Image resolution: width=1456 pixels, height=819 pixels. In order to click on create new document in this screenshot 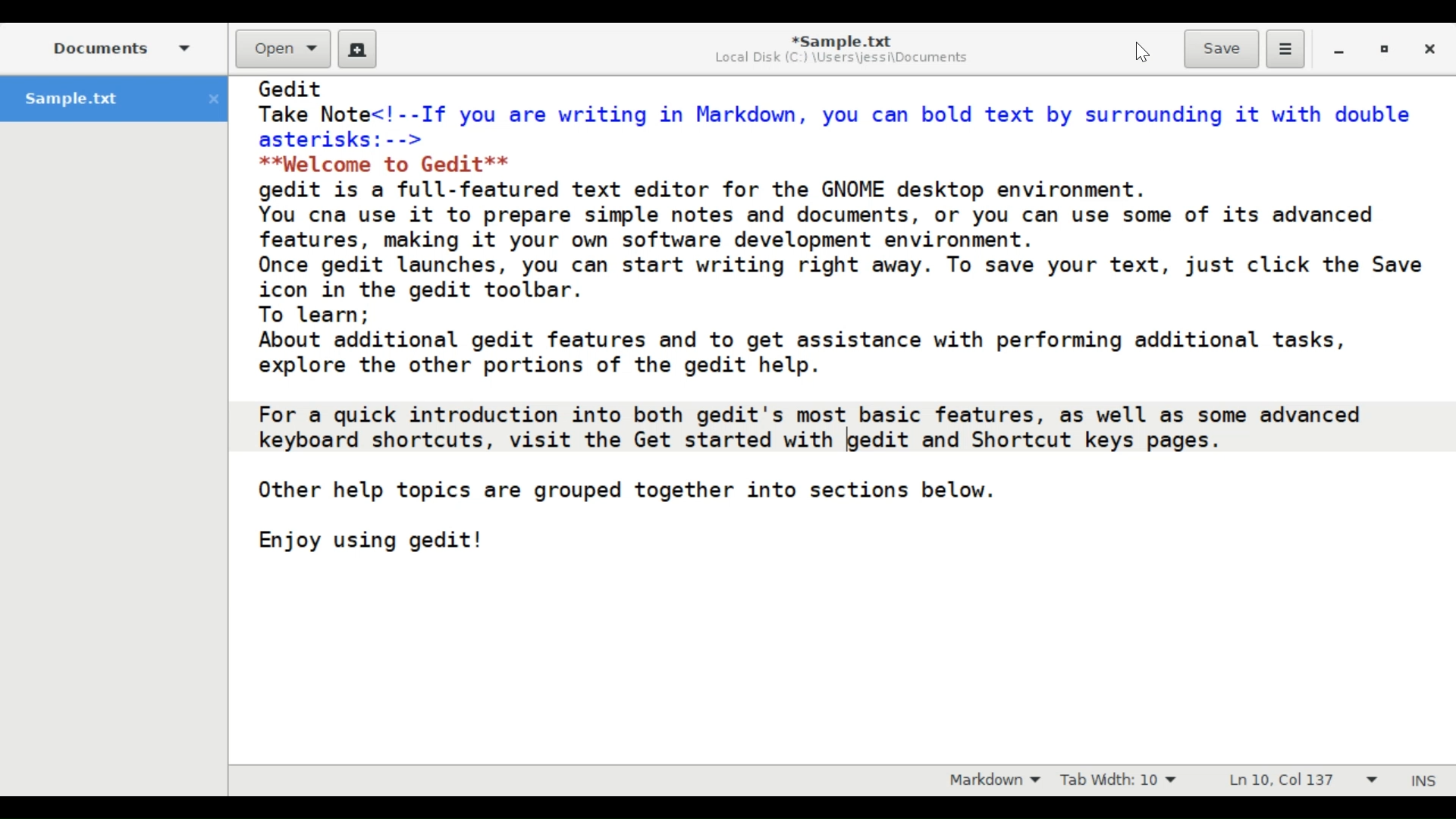, I will do `click(357, 49)`.